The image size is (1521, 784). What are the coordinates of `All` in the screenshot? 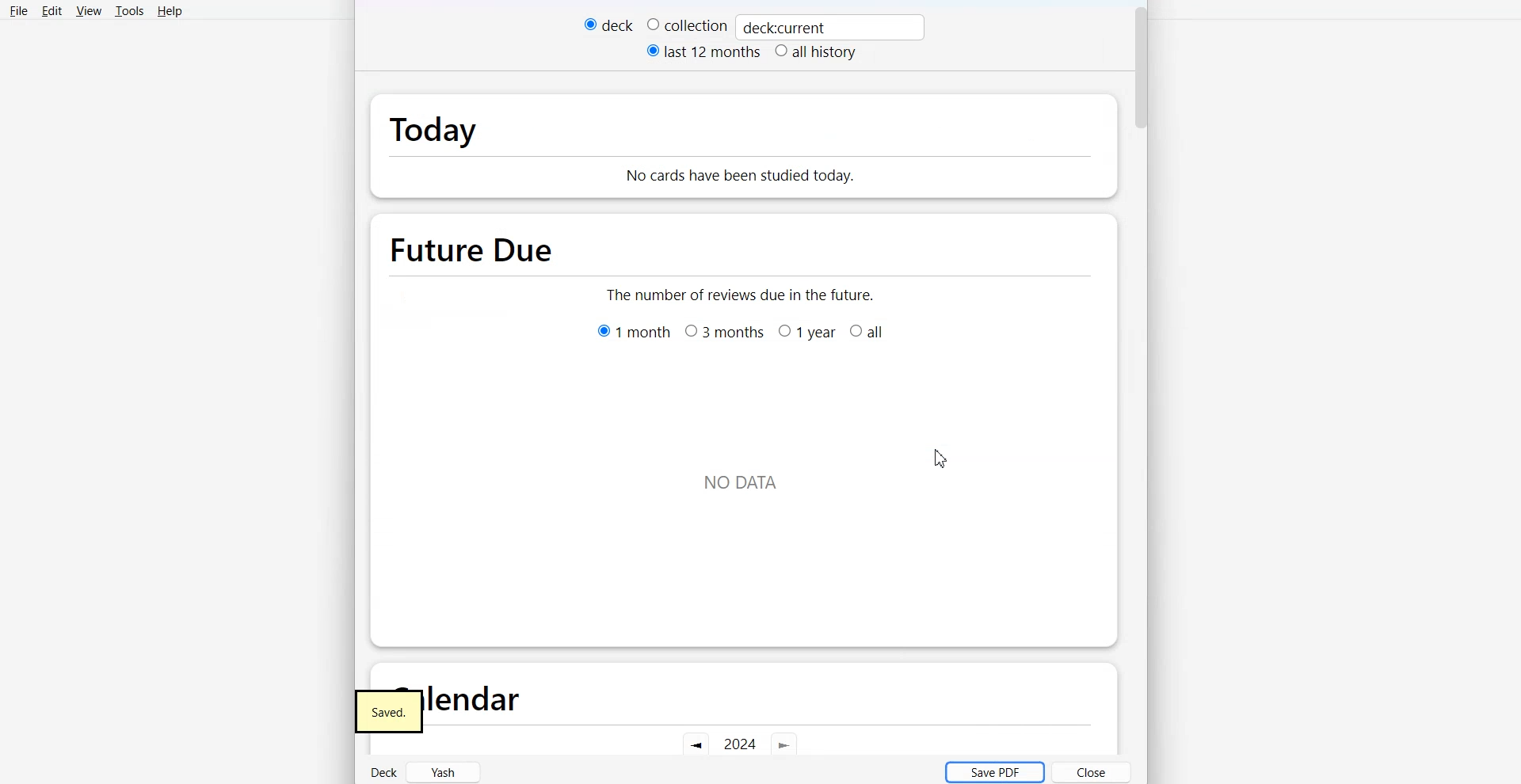 It's located at (869, 332).